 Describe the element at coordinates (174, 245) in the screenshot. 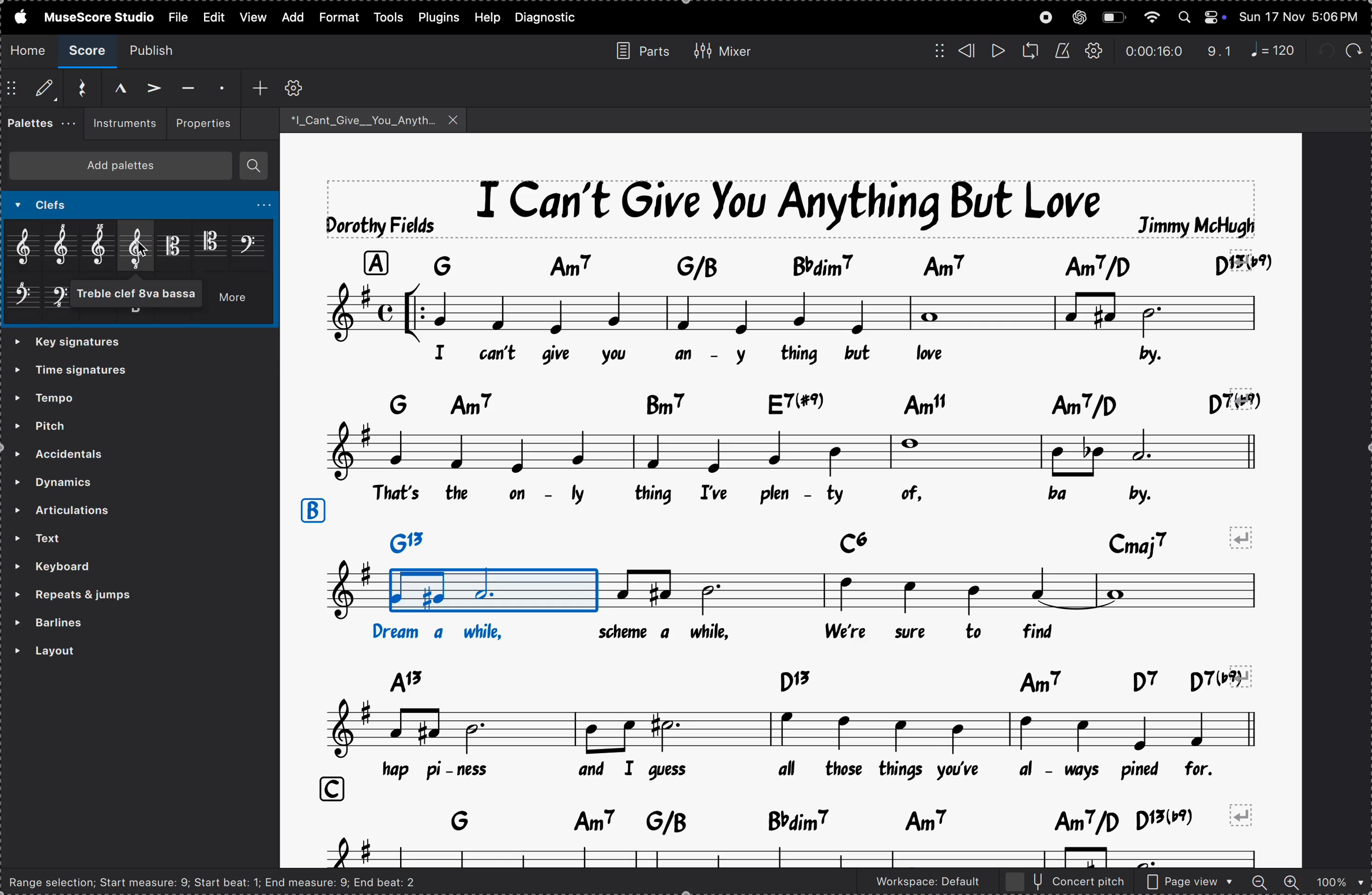

I see `alto clef` at that location.